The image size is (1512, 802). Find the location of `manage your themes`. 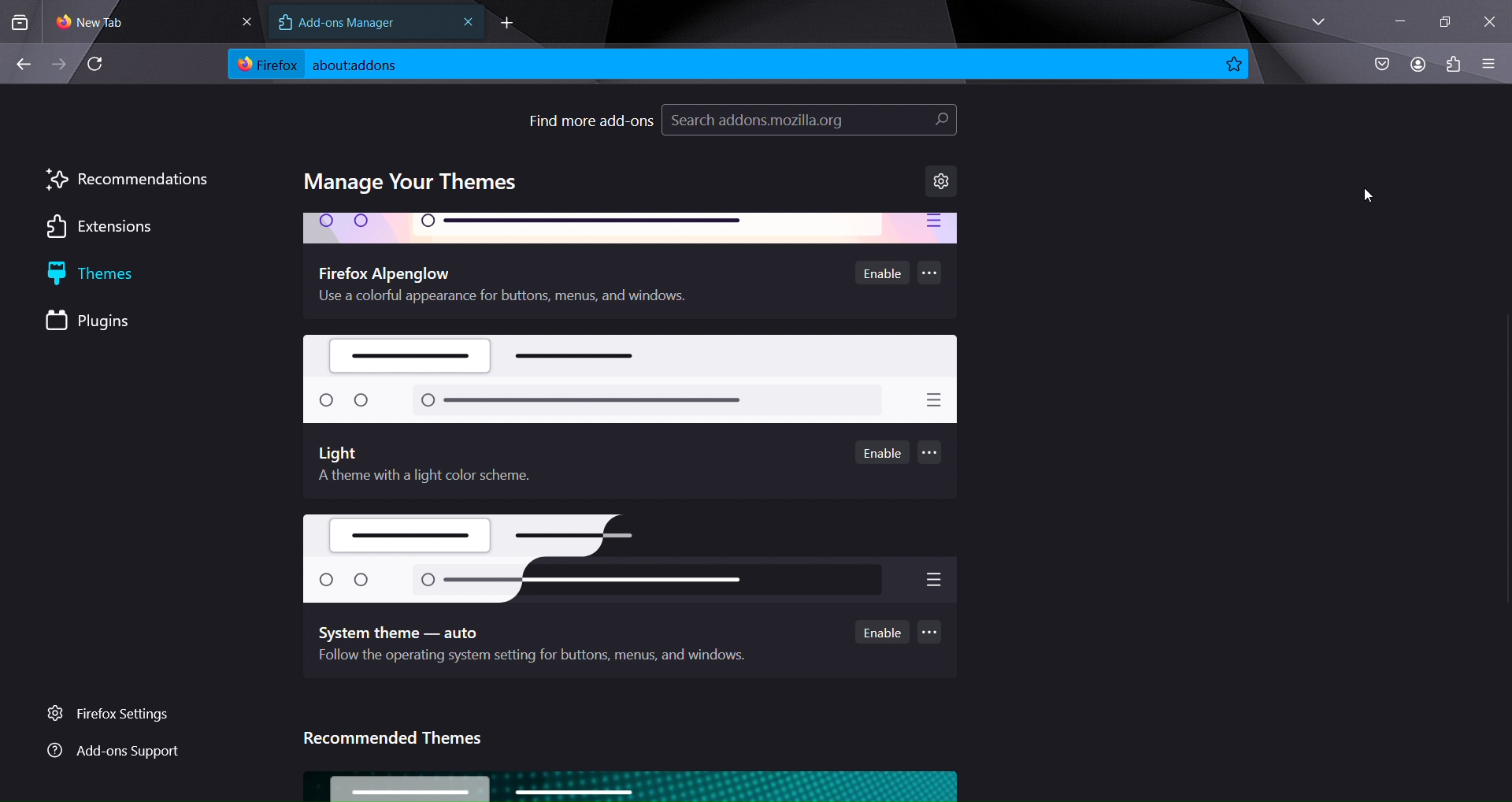

manage your themes is located at coordinates (415, 182).